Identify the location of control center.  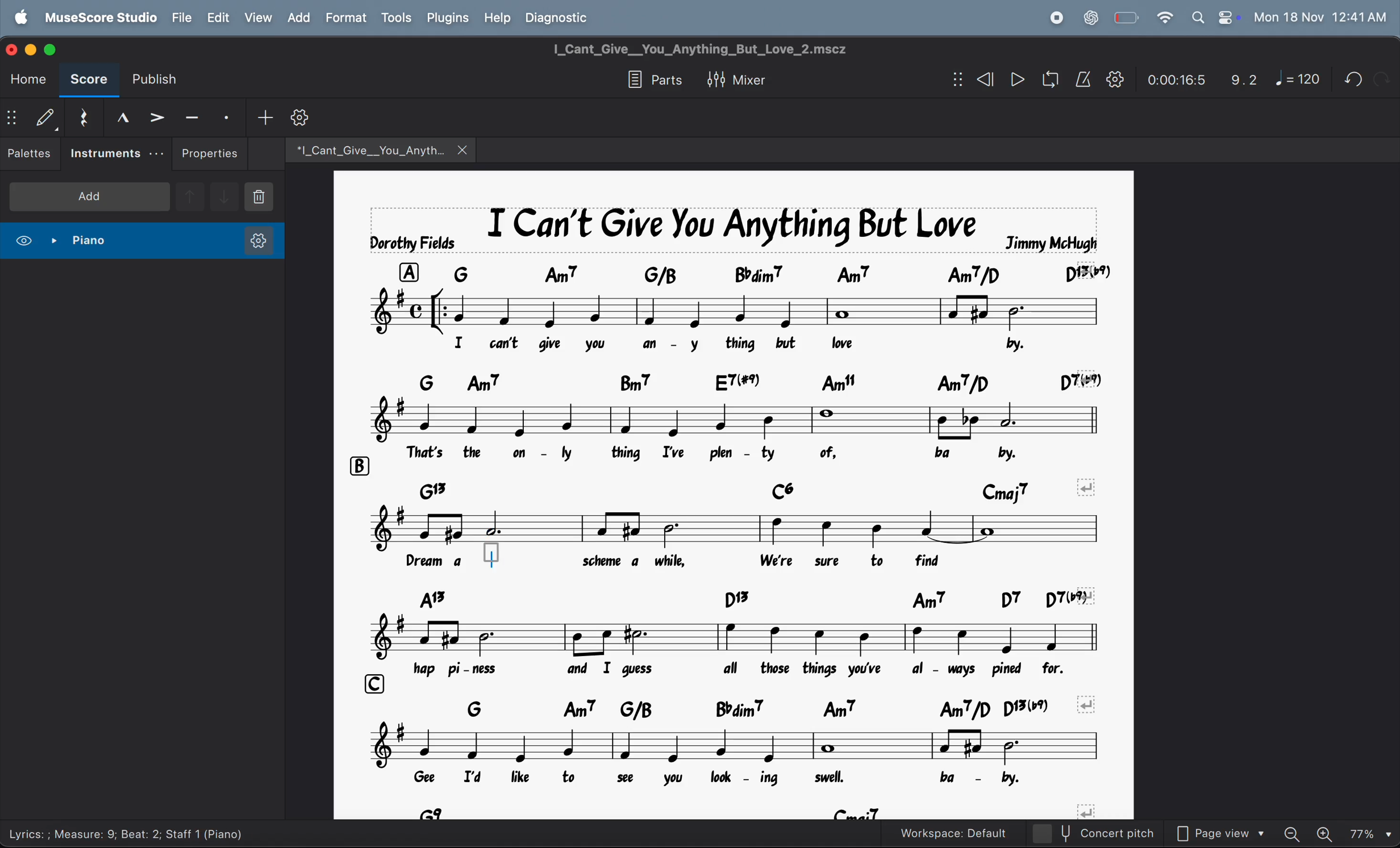
(1228, 18).